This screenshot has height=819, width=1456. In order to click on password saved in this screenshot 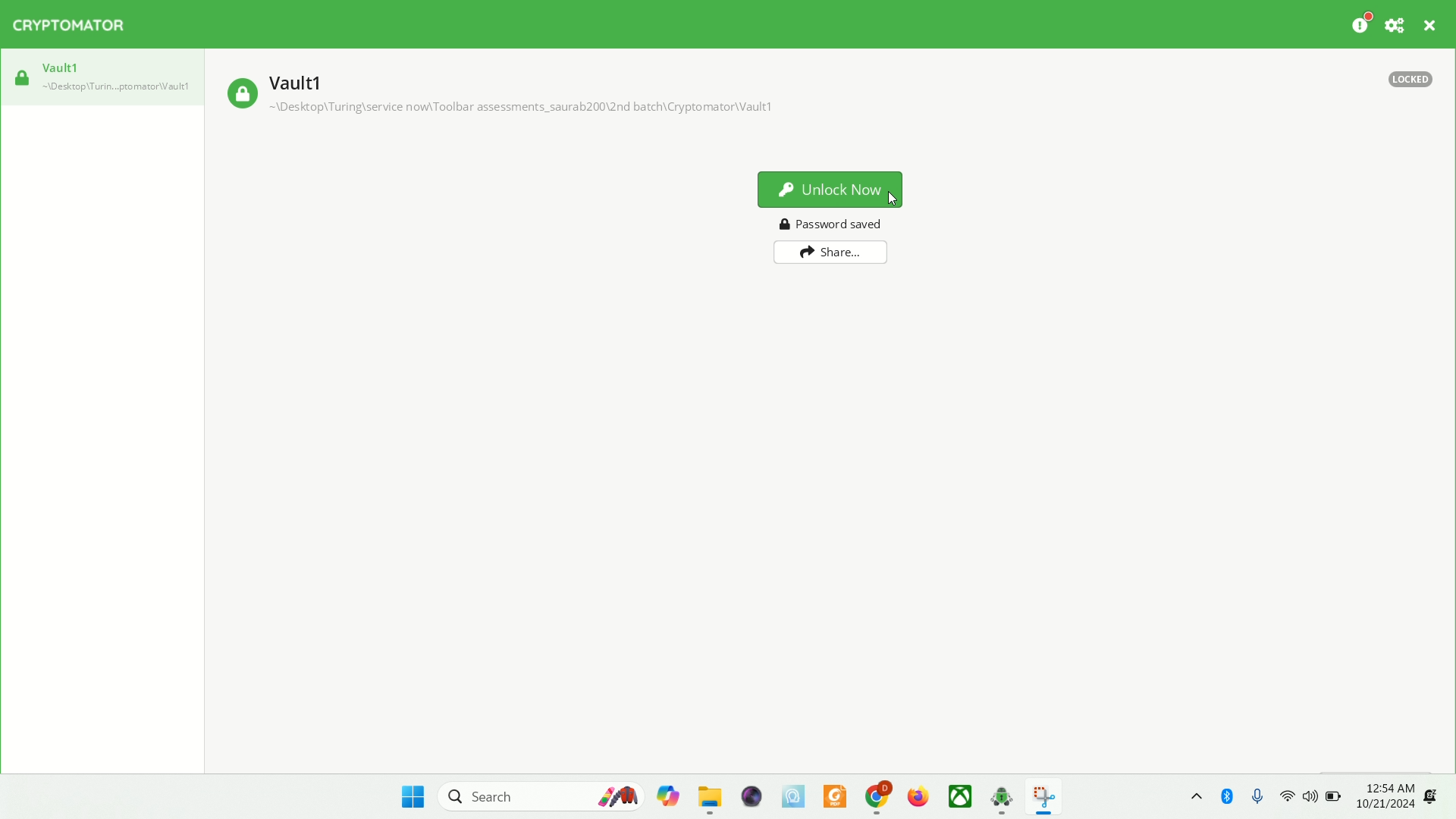, I will do `click(827, 225)`.